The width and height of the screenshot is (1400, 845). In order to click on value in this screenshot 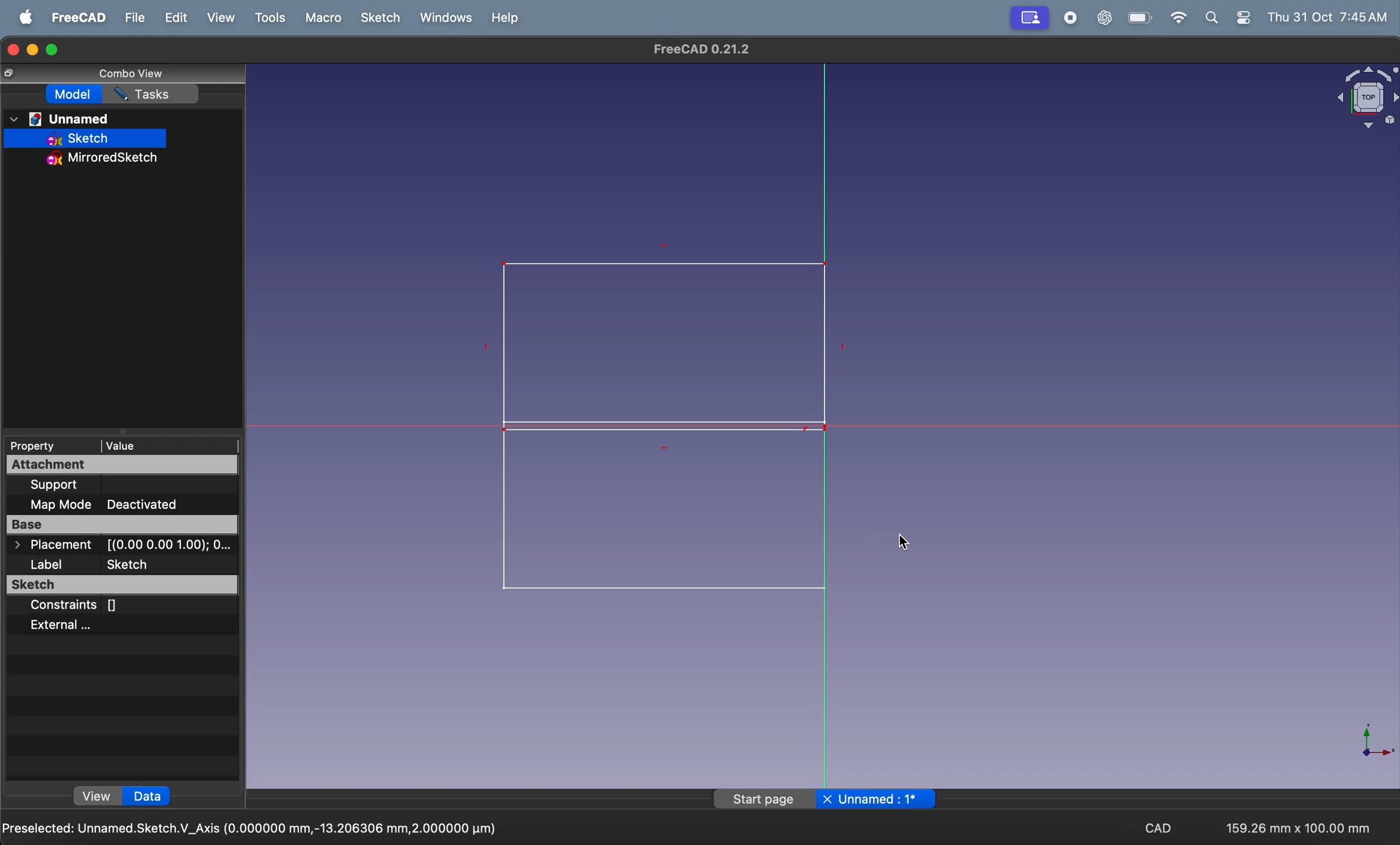, I will do `click(160, 441)`.